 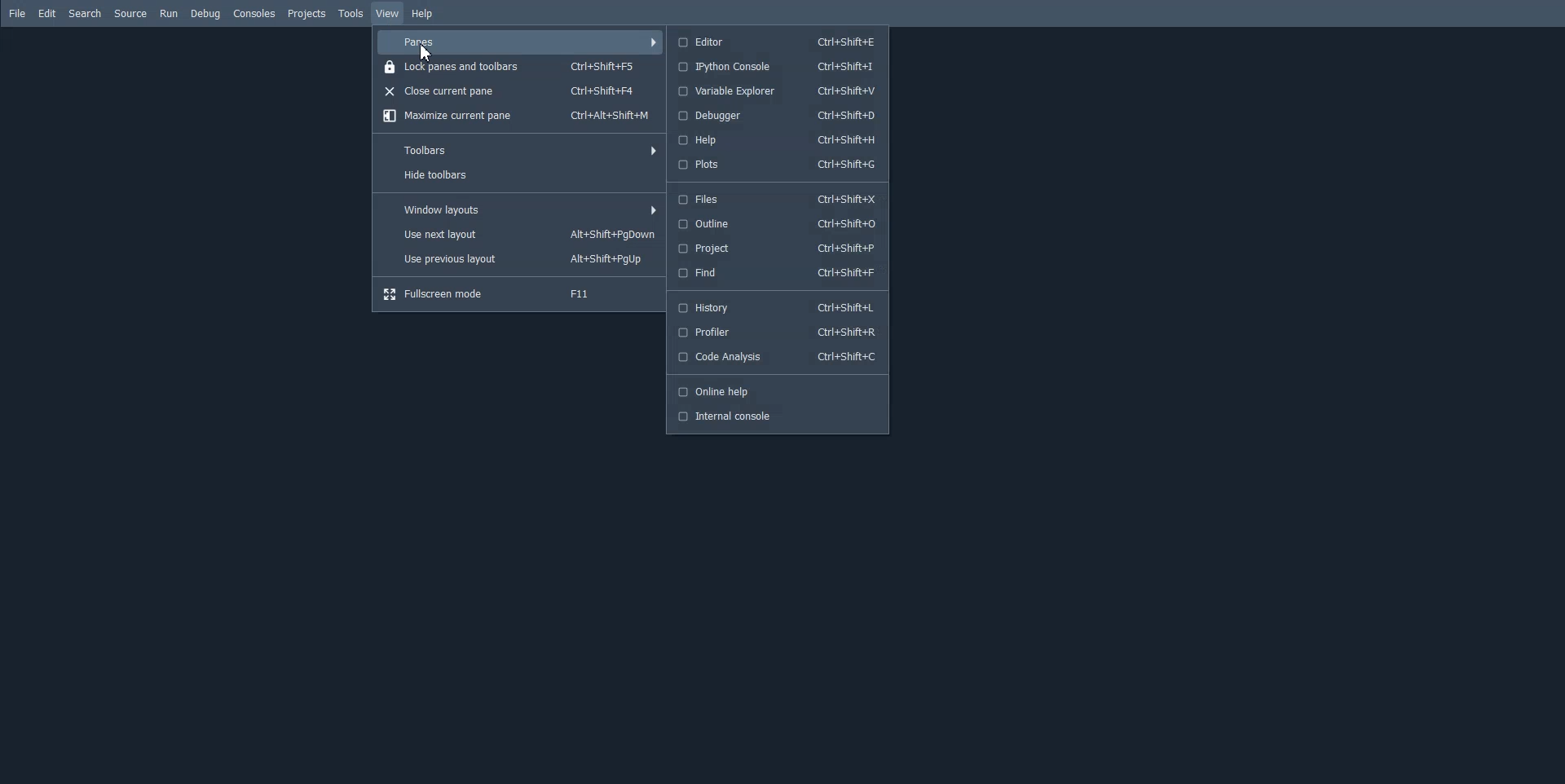 What do you see at coordinates (775, 200) in the screenshot?
I see `Files` at bounding box center [775, 200].